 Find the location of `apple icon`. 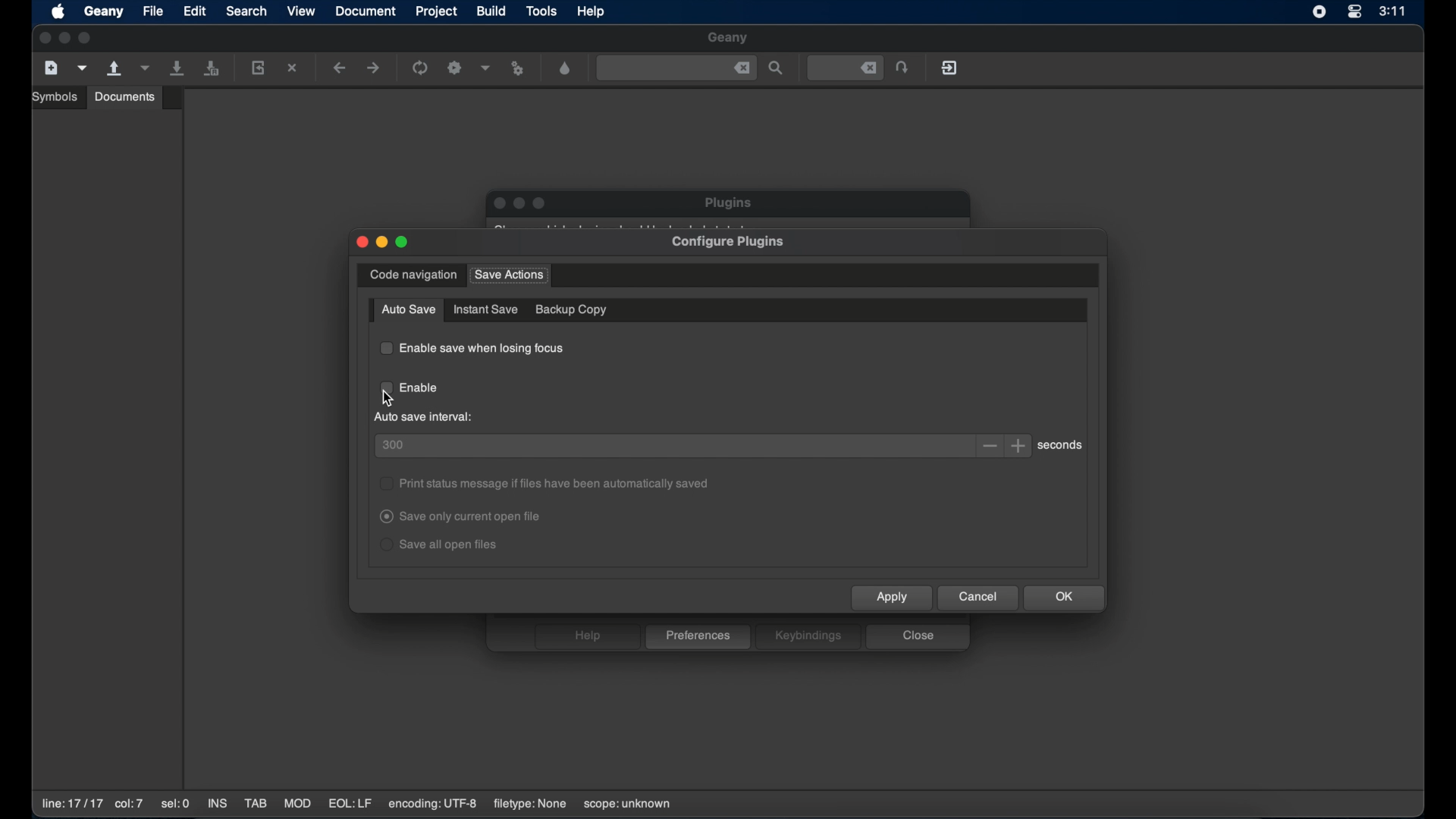

apple icon is located at coordinates (60, 13).